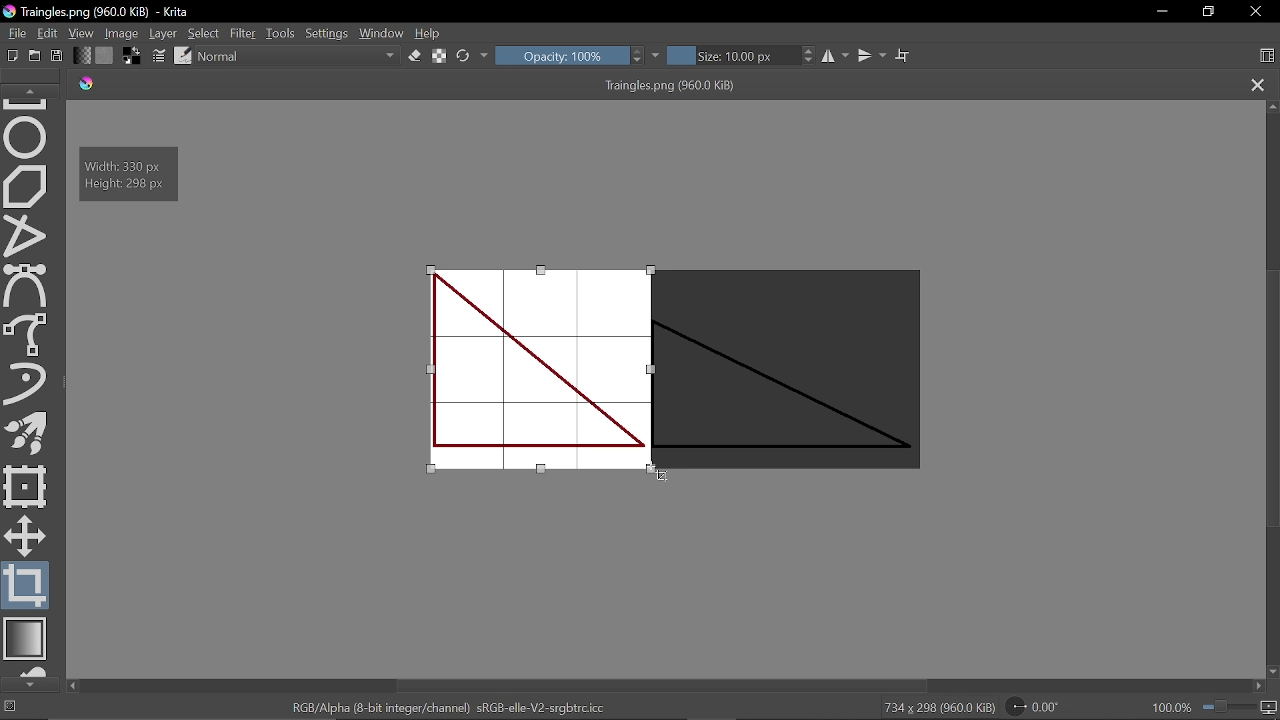 The image size is (1280, 720). Describe the element at coordinates (28, 333) in the screenshot. I see `Freehand select tool` at that location.